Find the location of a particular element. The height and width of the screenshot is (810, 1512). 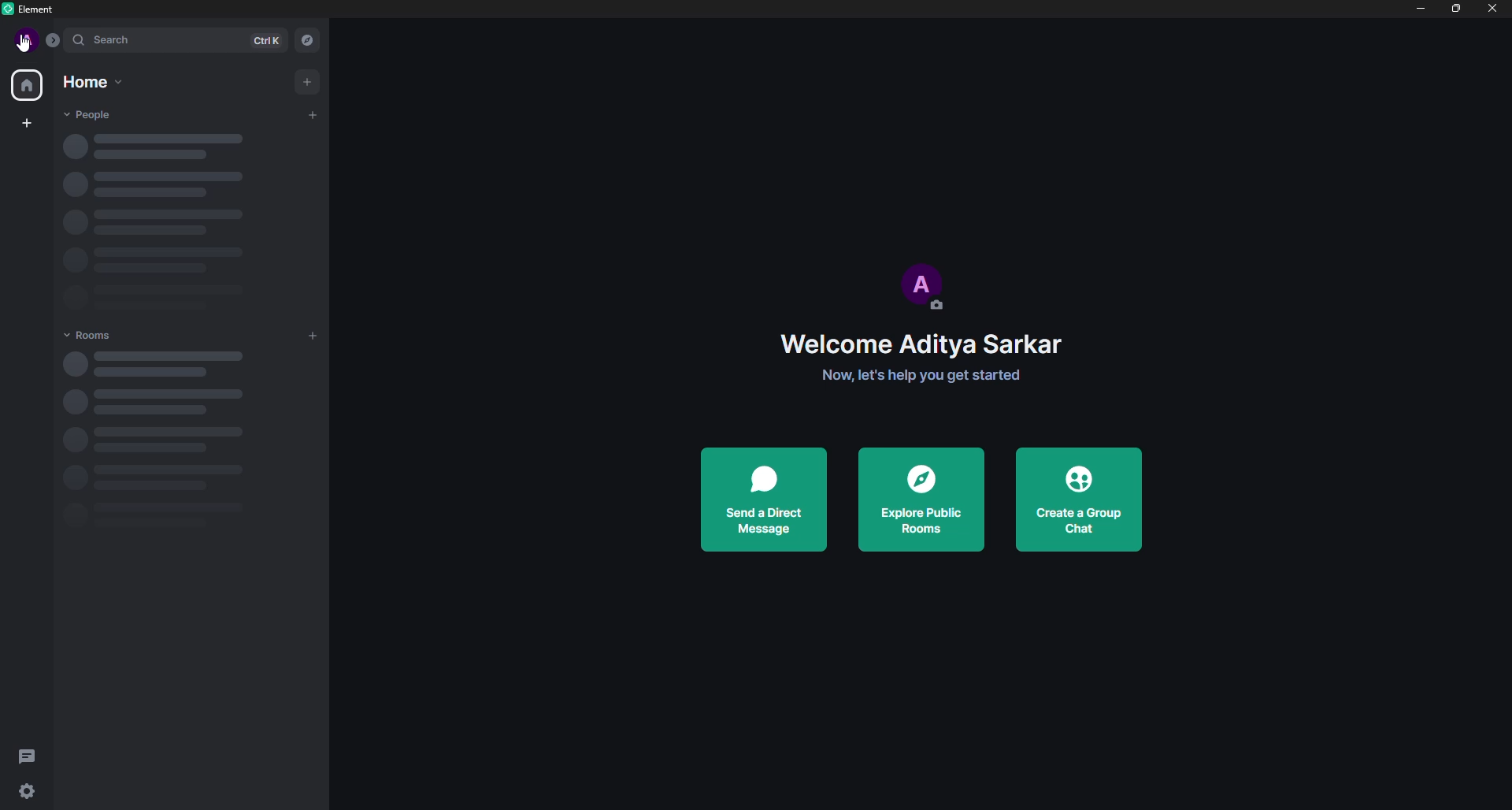

rooms is located at coordinates (91, 334).